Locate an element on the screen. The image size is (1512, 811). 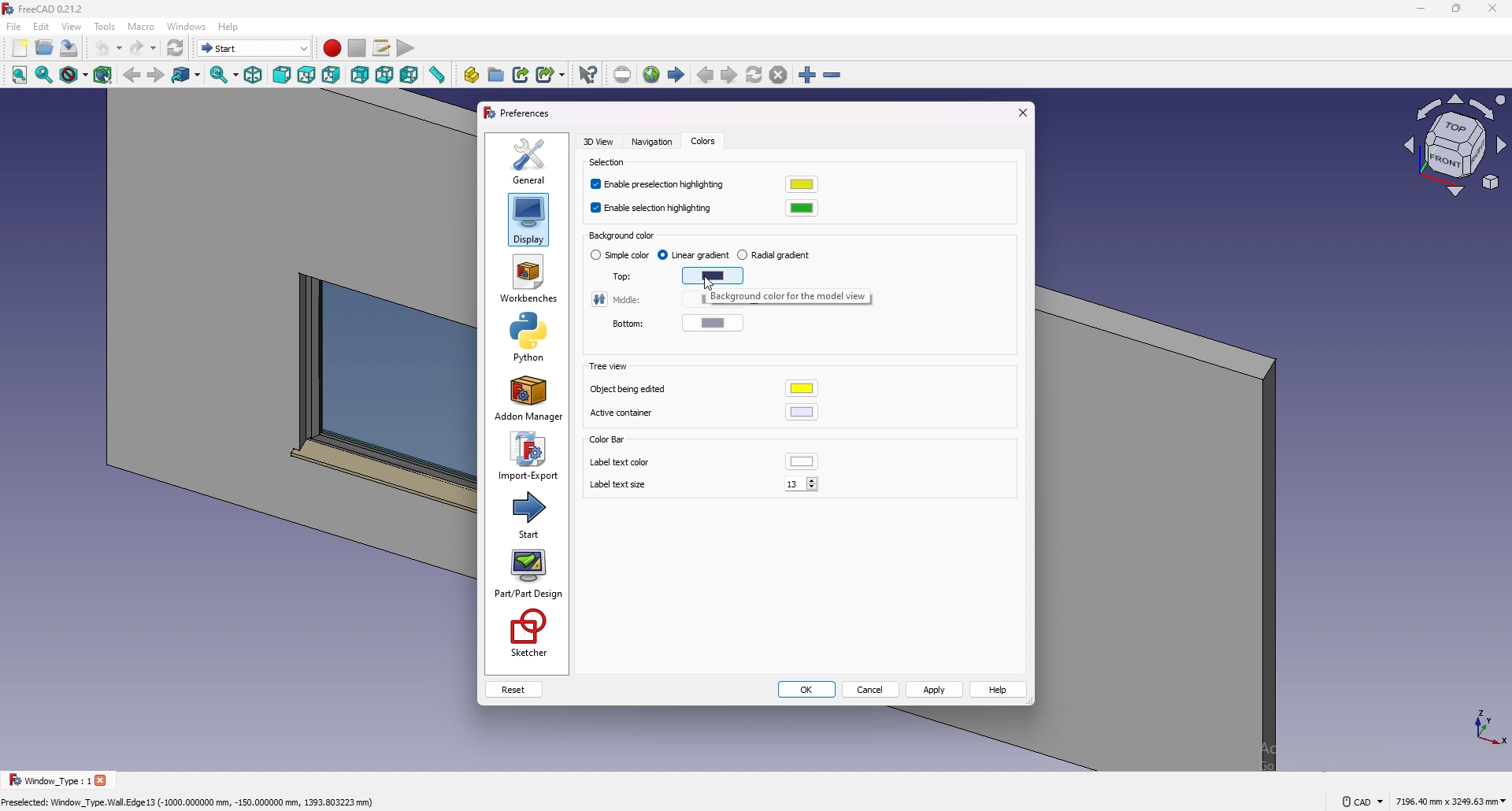
go to link object is located at coordinates (187, 76).